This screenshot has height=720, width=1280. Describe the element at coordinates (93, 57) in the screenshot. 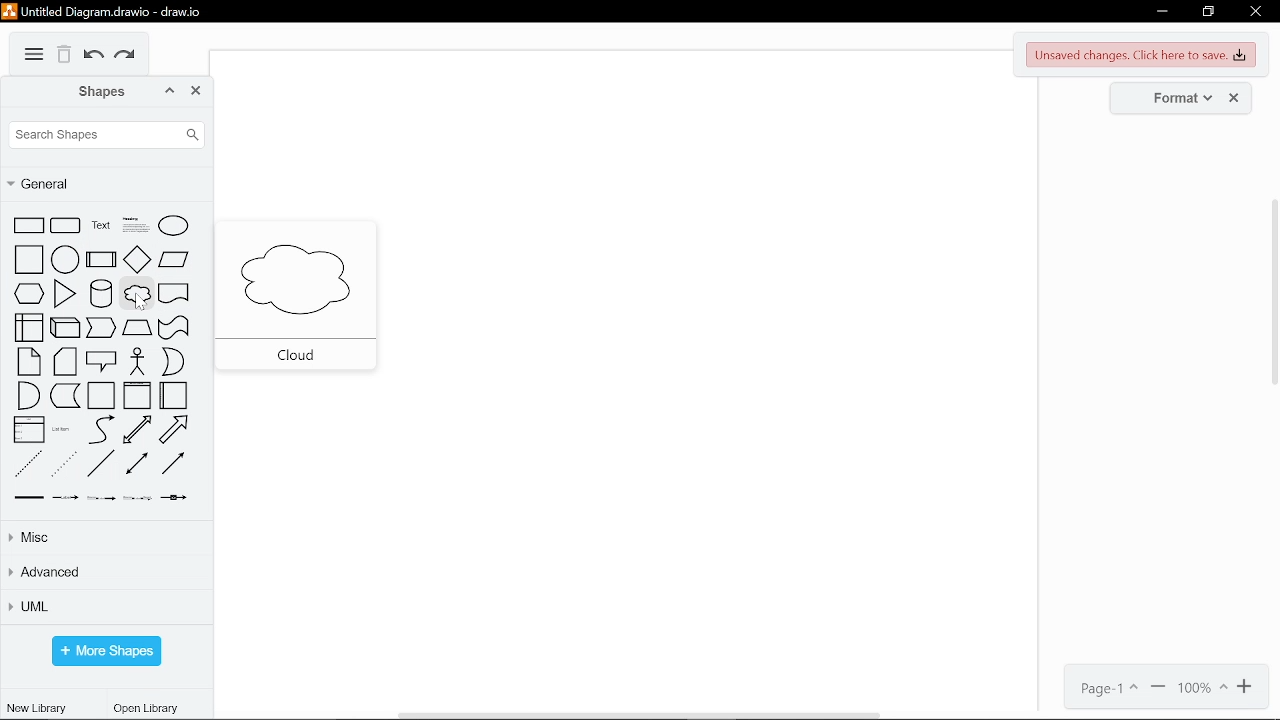

I see `undo` at that location.